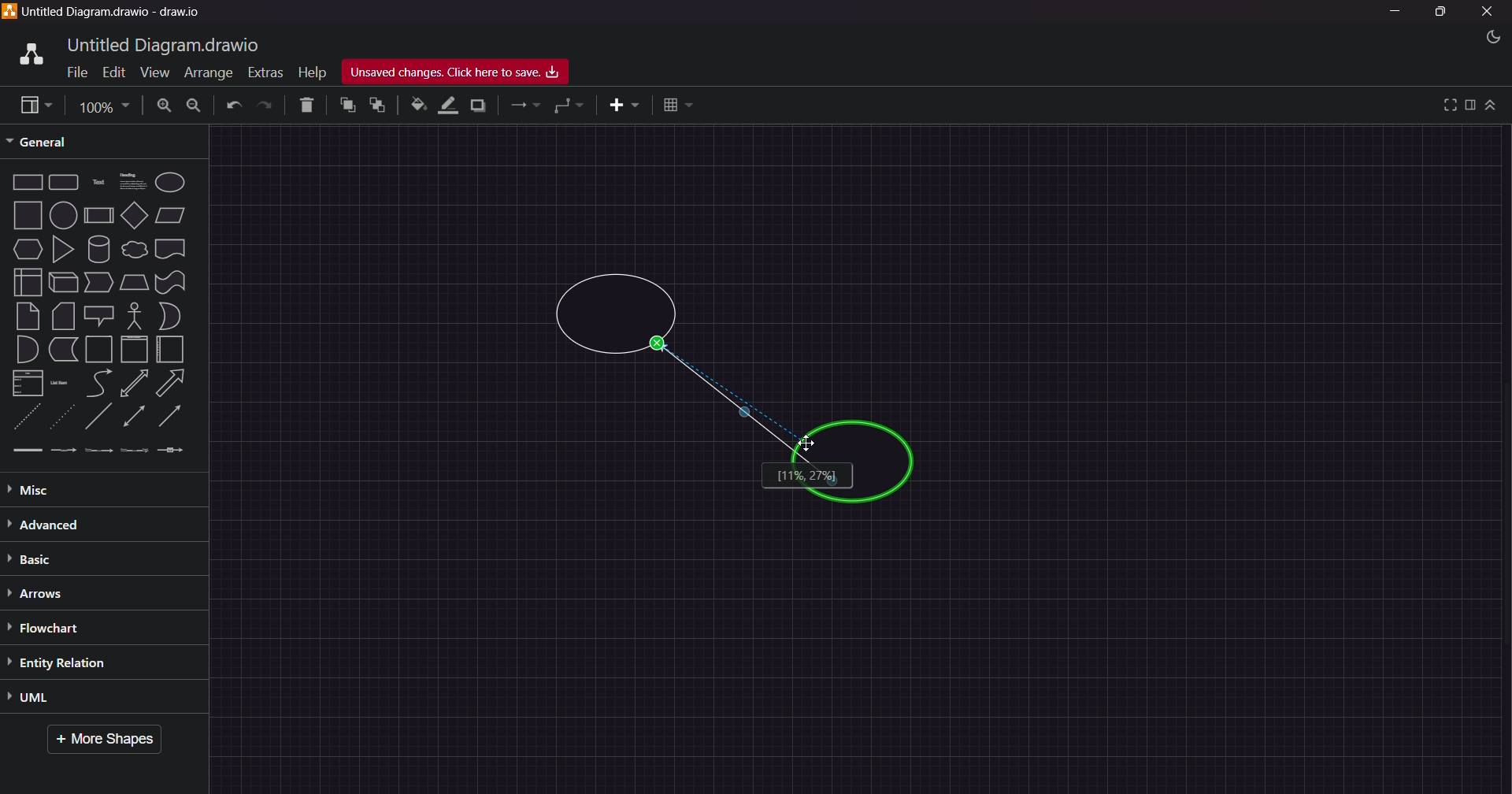  Describe the element at coordinates (118, 13) in the screenshot. I see `Title` at that location.